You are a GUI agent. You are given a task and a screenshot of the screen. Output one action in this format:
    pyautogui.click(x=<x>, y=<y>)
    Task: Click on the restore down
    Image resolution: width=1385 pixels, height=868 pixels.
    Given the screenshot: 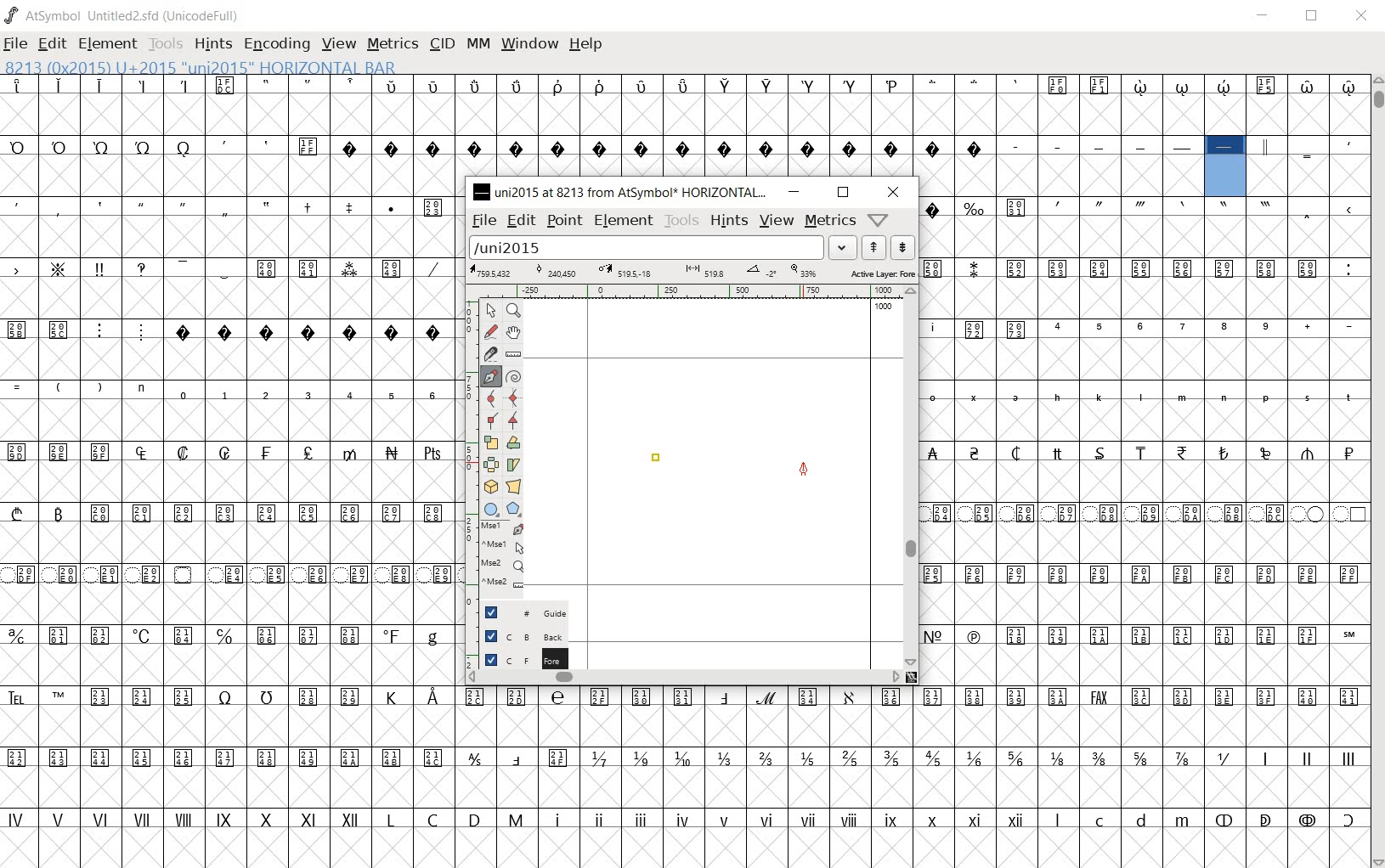 What is the action you would take?
    pyautogui.click(x=842, y=193)
    